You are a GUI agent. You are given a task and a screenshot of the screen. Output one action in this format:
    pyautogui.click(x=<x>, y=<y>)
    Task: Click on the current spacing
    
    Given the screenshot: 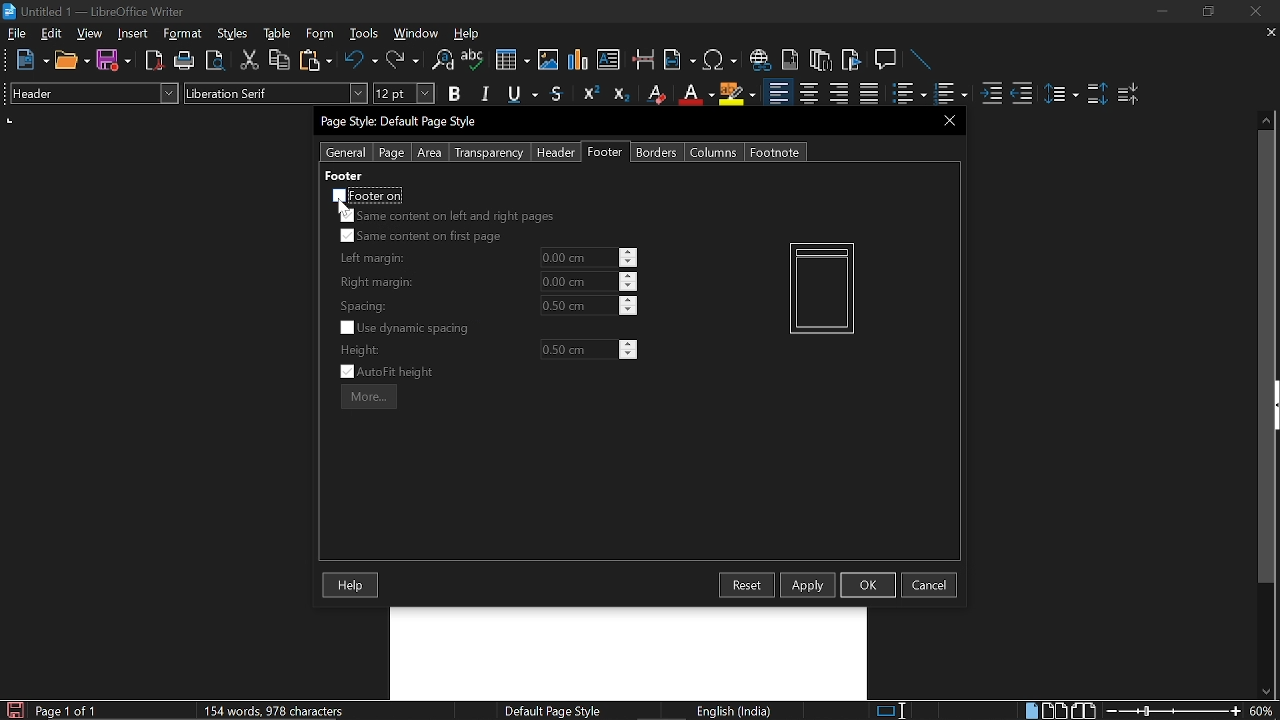 What is the action you would take?
    pyautogui.click(x=578, y=305)
    